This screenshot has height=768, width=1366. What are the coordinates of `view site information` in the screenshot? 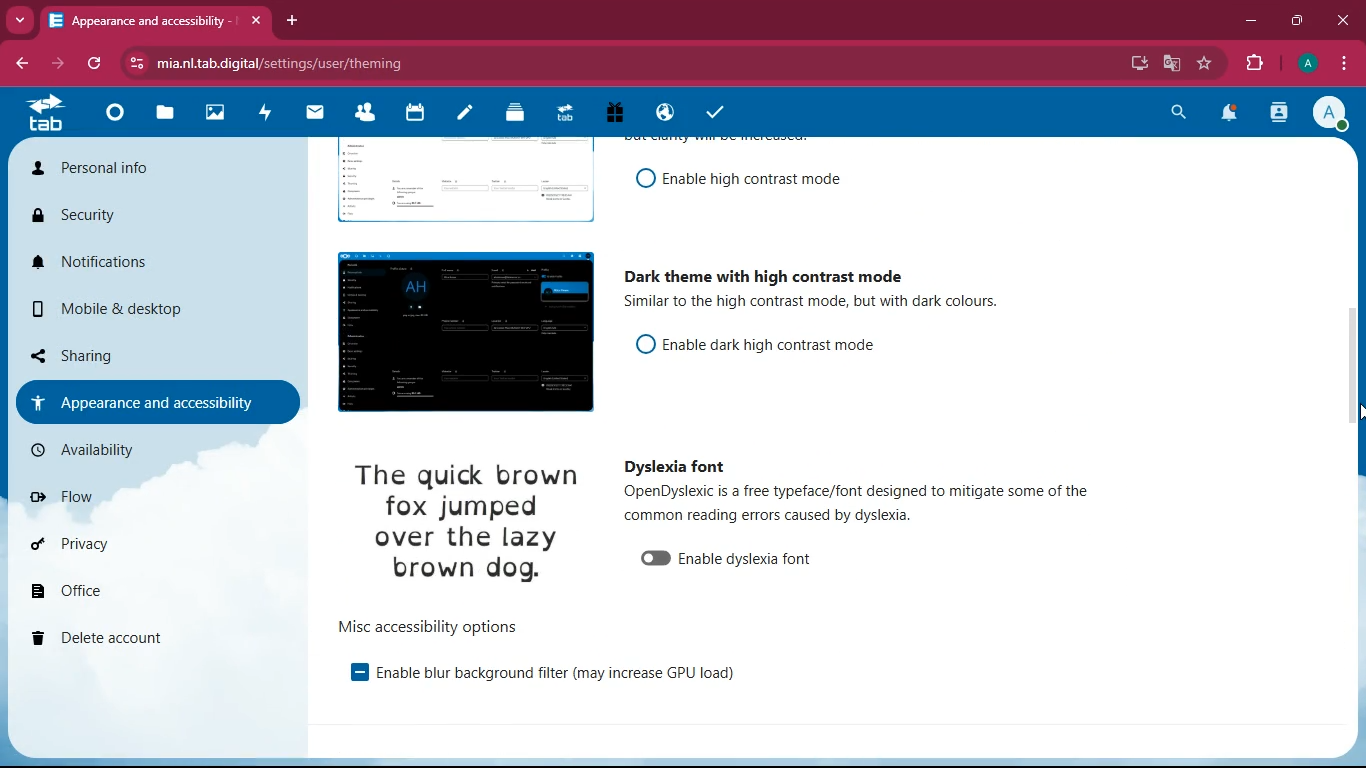 It's located at (133, 63).